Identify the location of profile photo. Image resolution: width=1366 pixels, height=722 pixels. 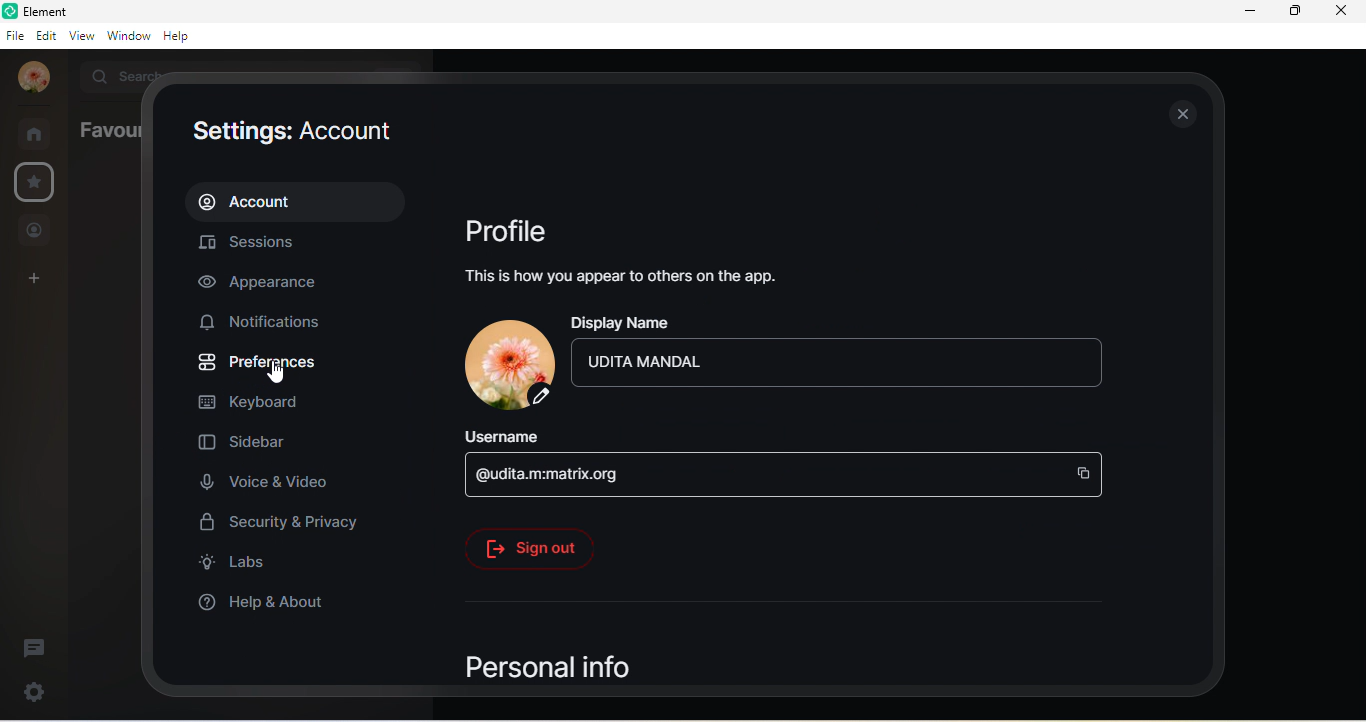
(30, 78).